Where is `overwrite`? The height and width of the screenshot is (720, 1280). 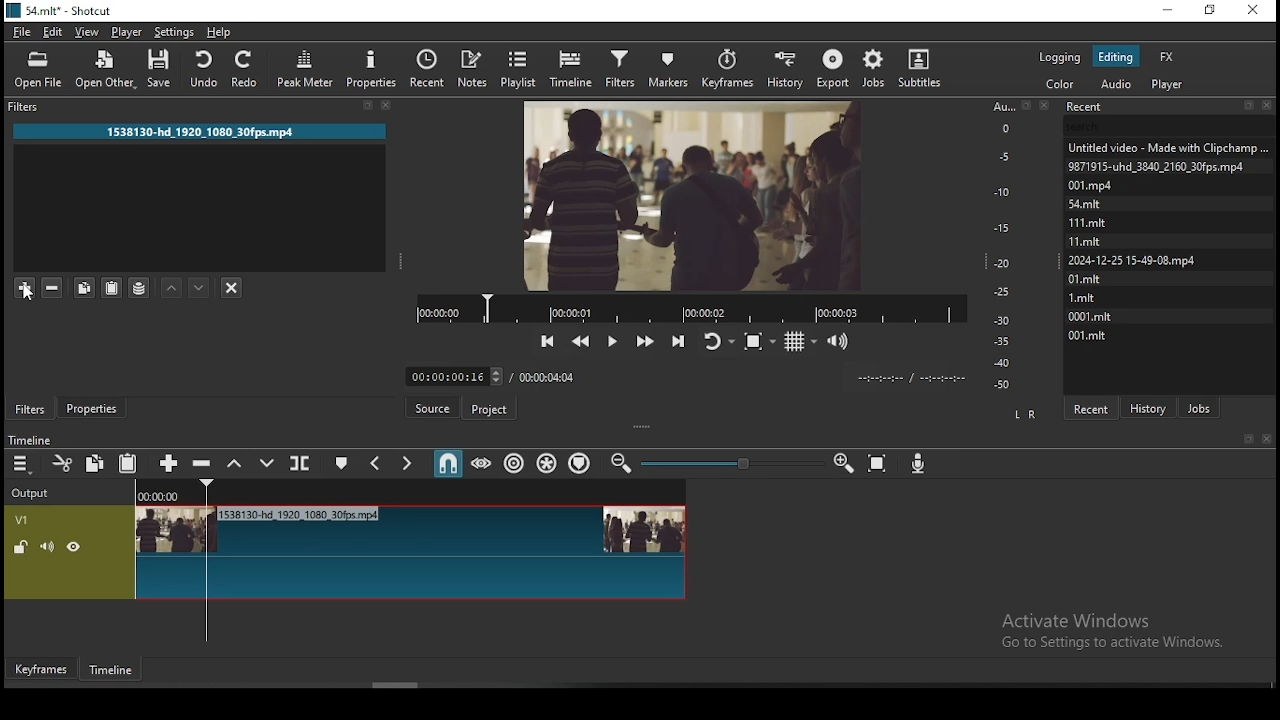
overwrite is located at coordinates (261, 463).